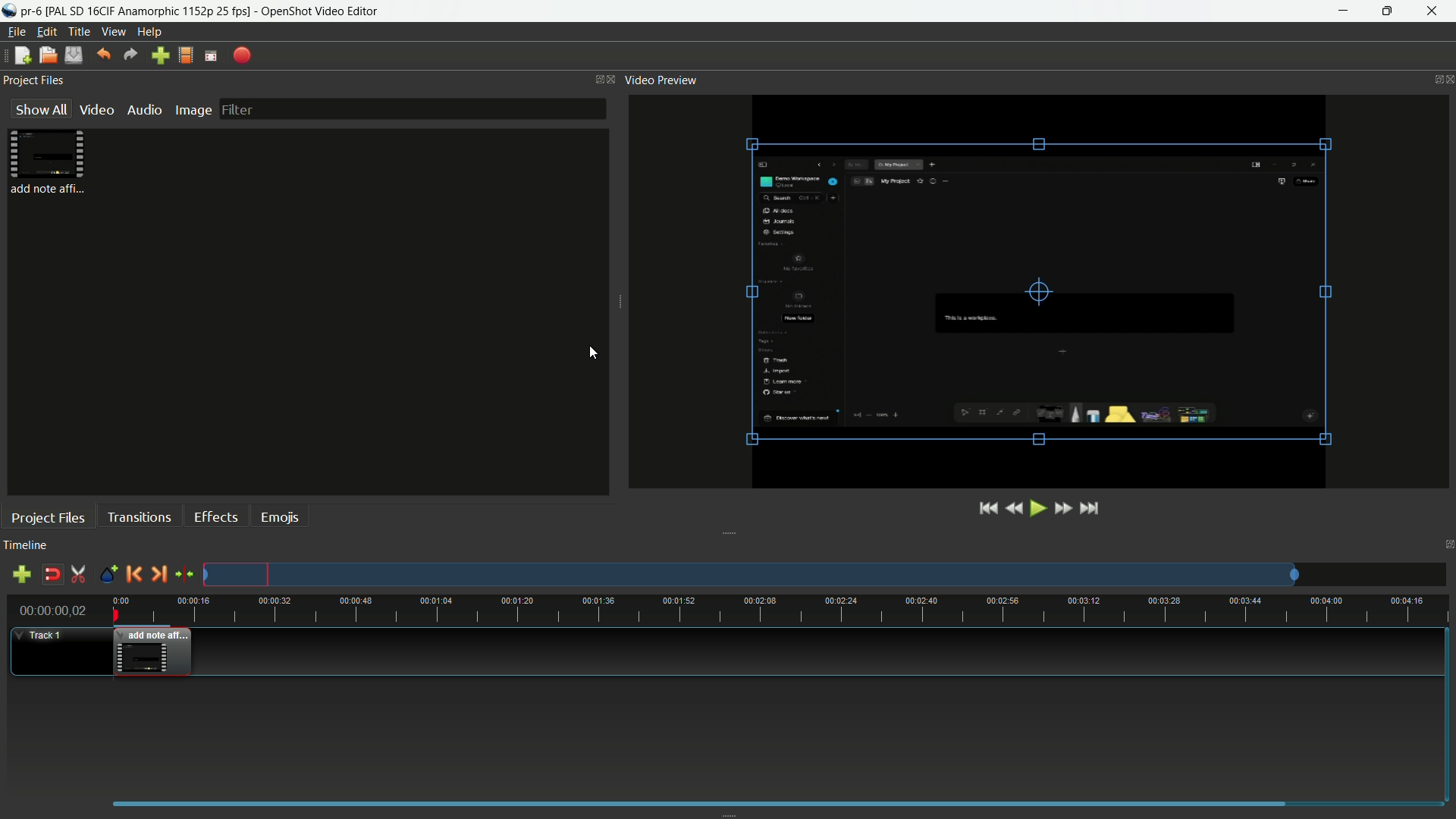 This screenshot has height=819, width=1456. I want to click on cursor, so click(592, 353).